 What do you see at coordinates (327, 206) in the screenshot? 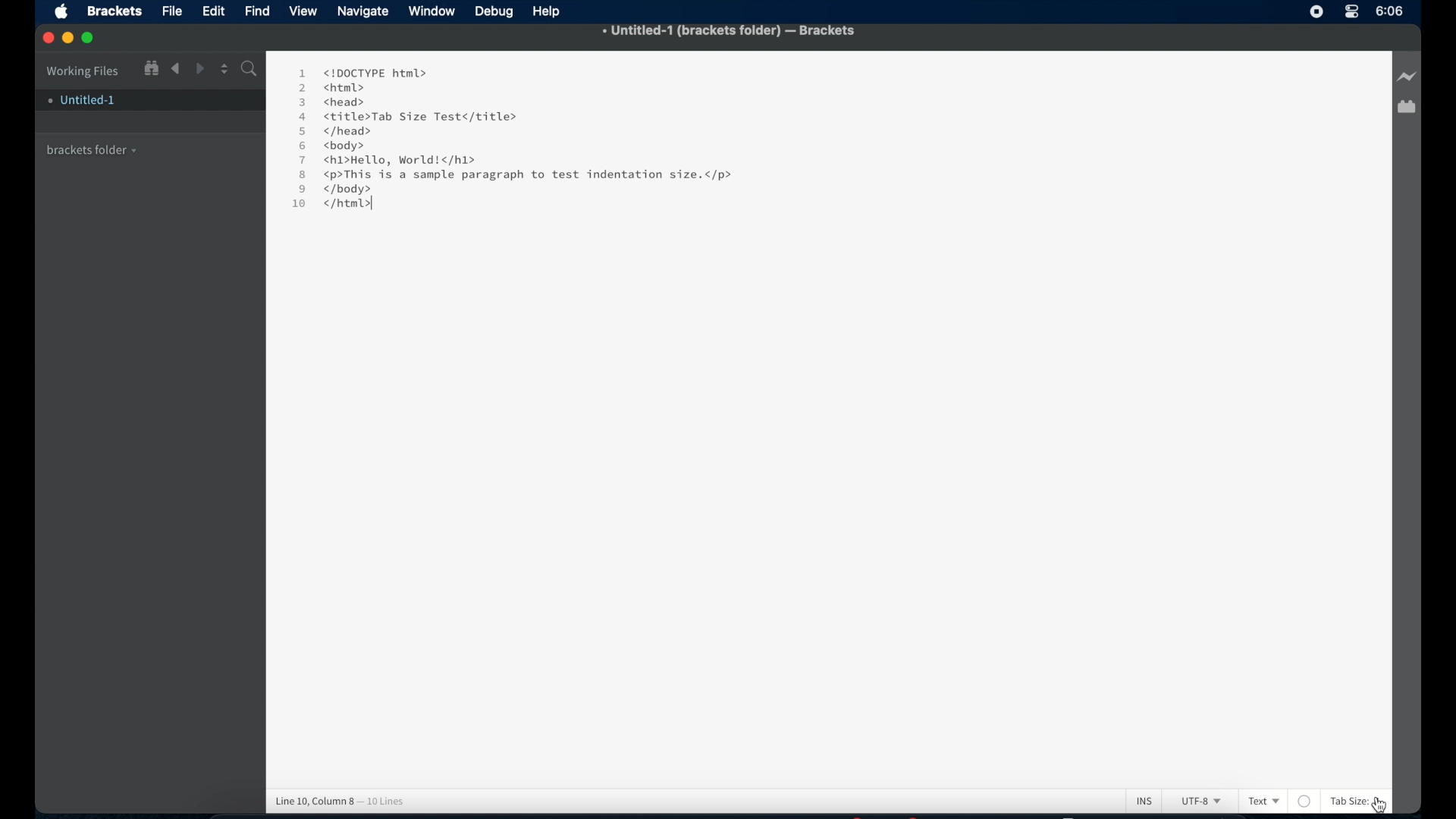
I see `10 </html>` at bounding box center [327, 206].